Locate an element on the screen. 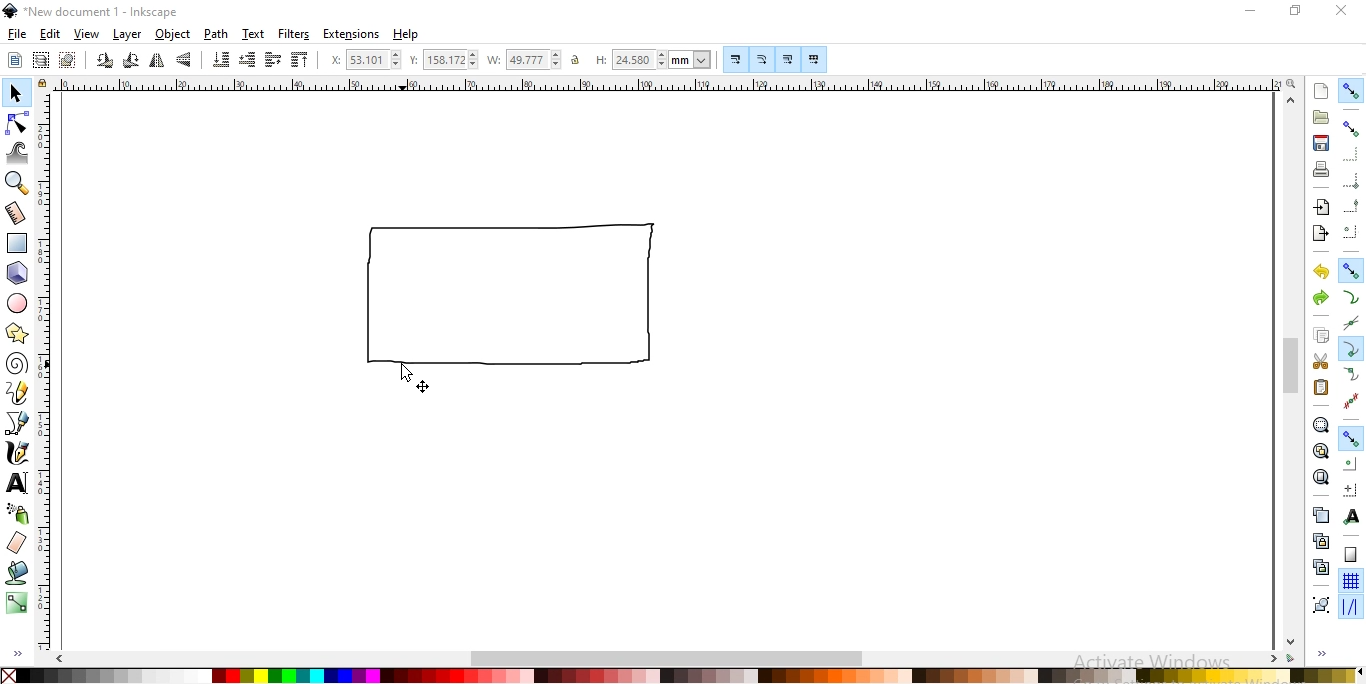 The image size is (1366, 684). path is located at coordinates (216, 33).